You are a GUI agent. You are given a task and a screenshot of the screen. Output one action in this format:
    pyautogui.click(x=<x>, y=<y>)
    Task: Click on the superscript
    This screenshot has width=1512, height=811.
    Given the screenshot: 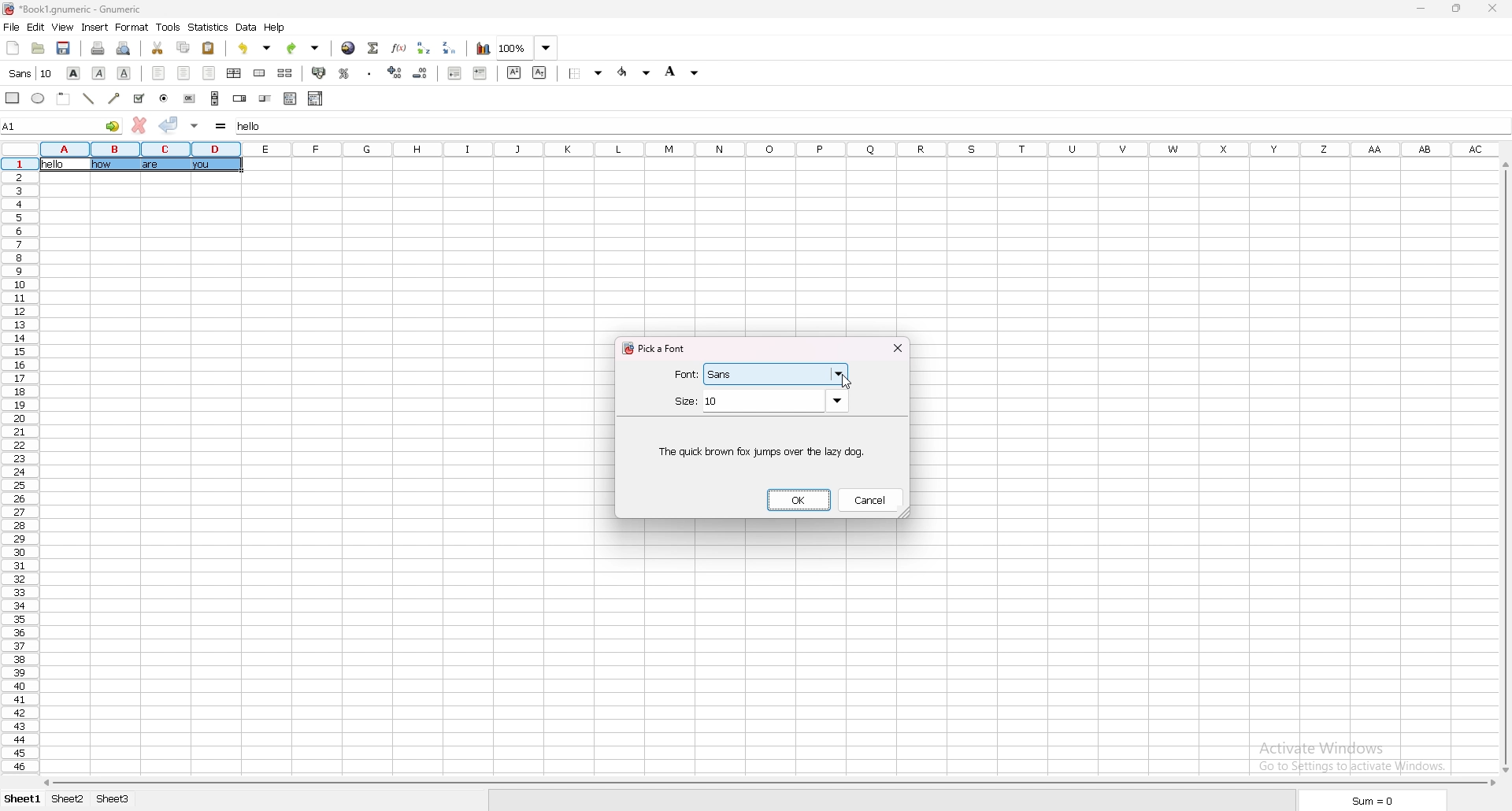 What is the action you would take?
    pyautogui.click(x=513, y=72)
    